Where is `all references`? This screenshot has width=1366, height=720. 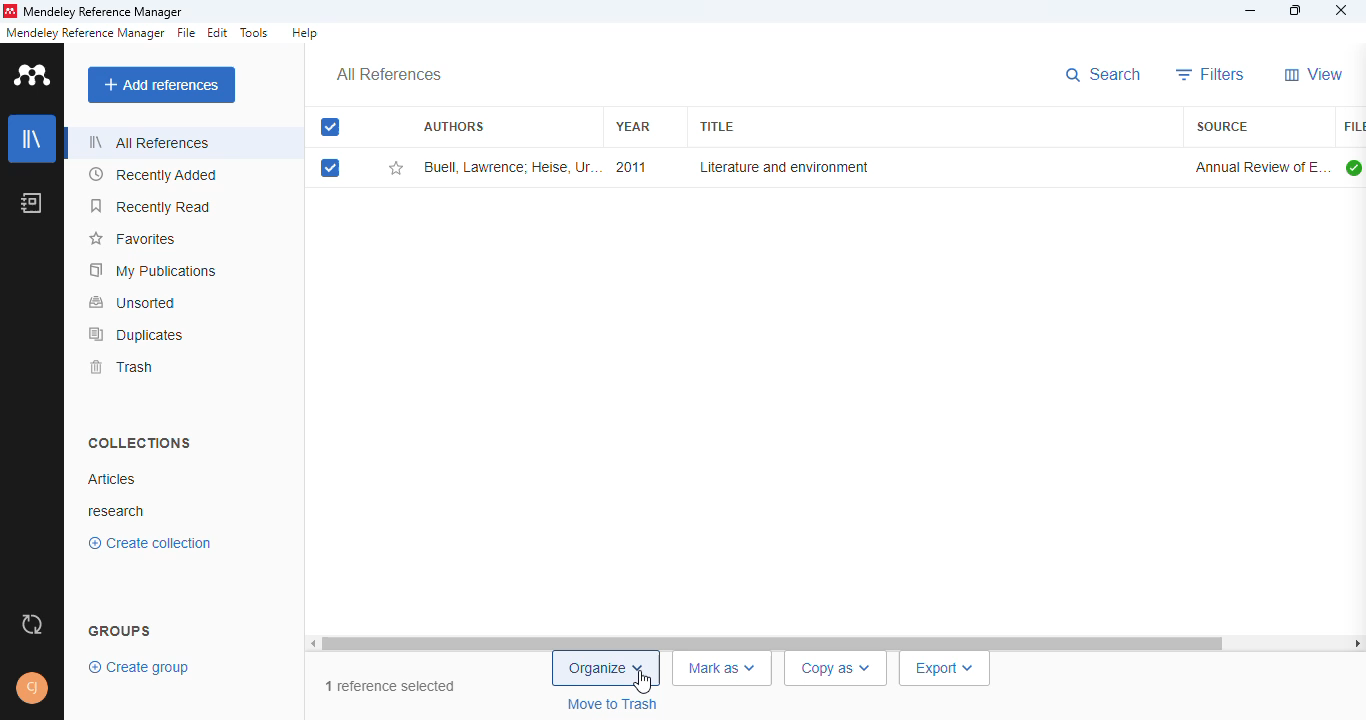
all references is located at coordinates (150, 142).